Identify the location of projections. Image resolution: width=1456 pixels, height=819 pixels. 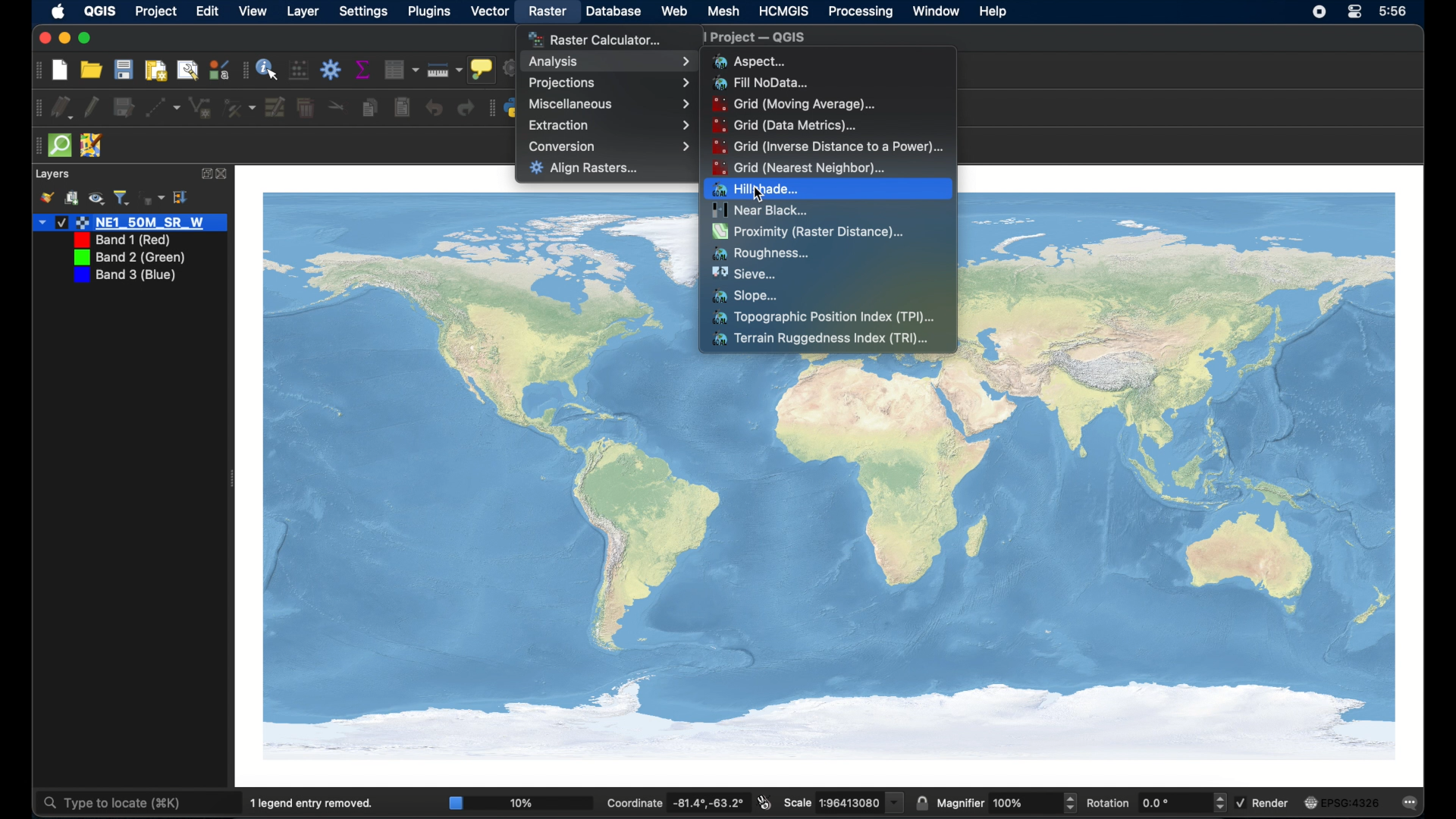
(609, 84).